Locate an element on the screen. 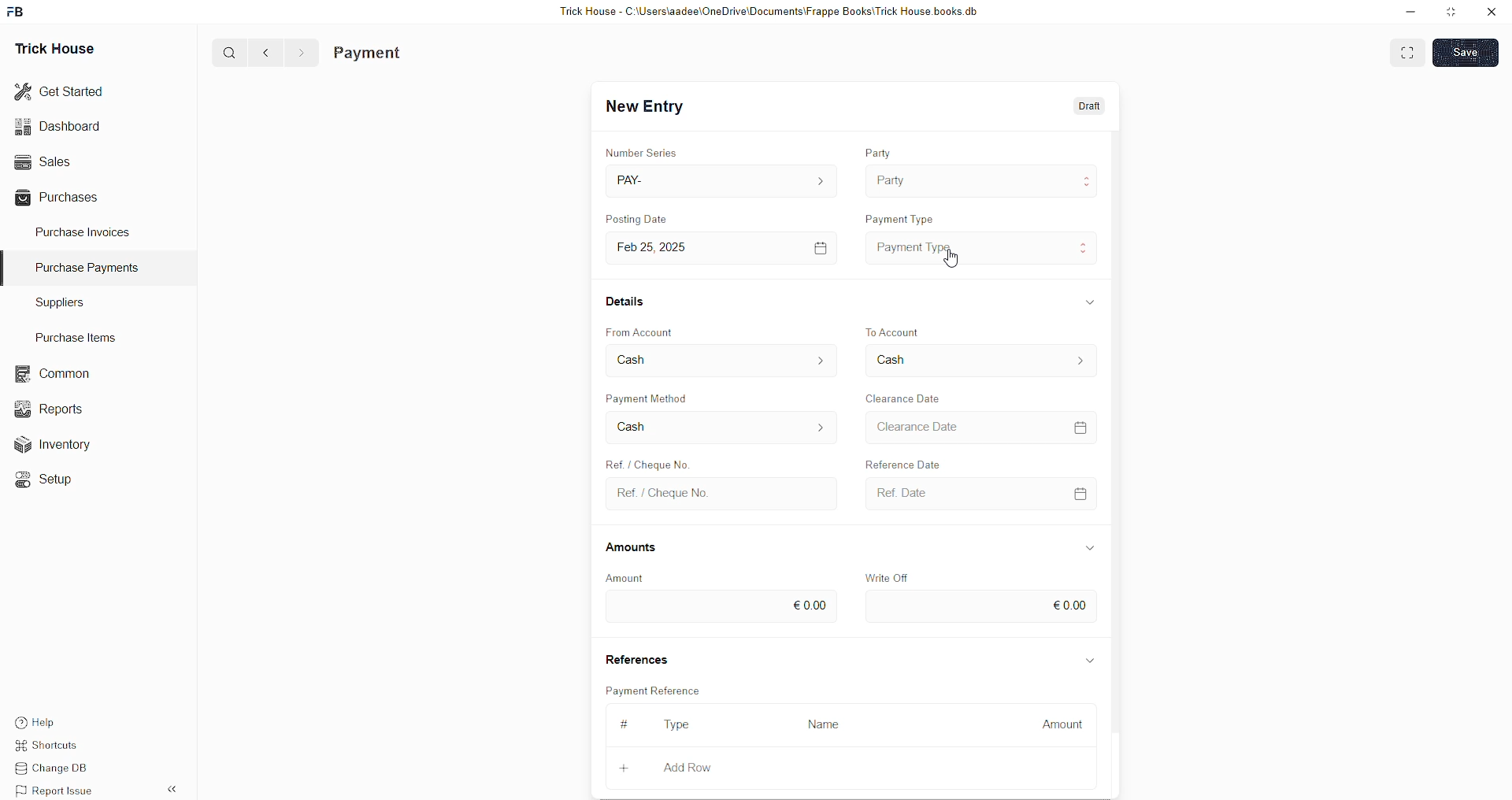 This screenshot has width=1512, height=800. > is located at coordinates (301, 53).